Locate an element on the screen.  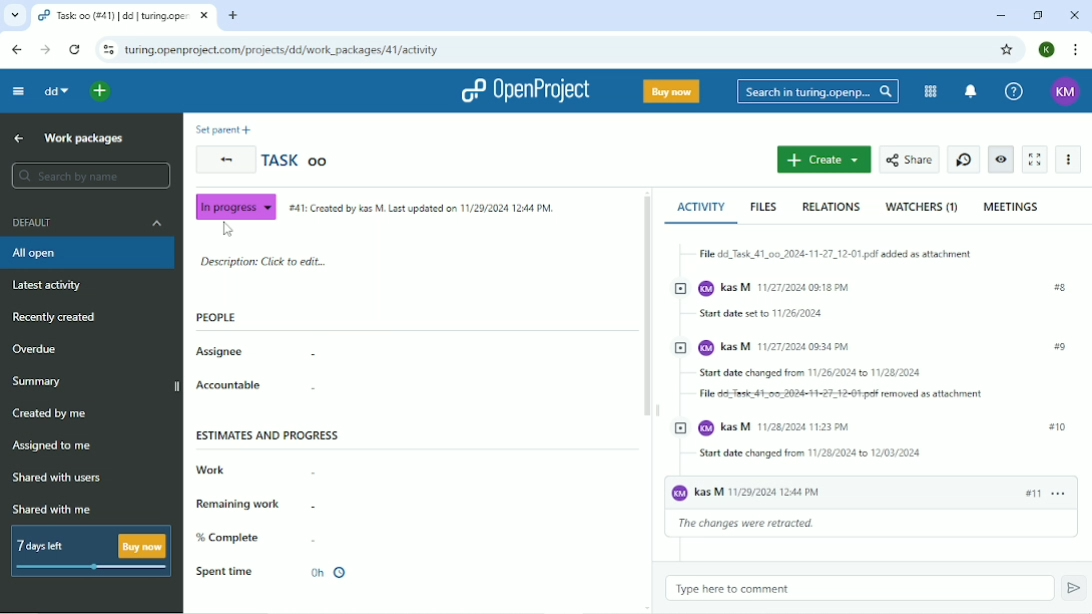
Type here to comment is located at coordinates (859, 588).